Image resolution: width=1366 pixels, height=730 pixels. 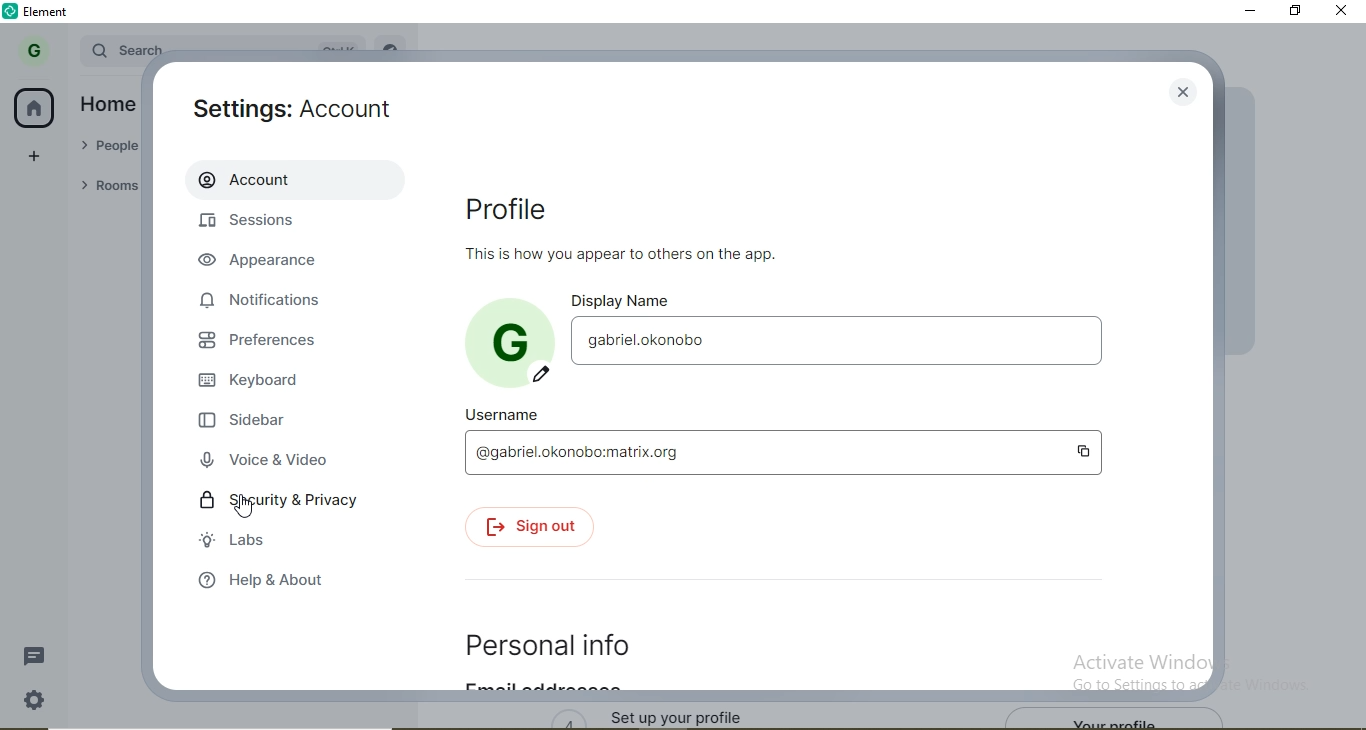 What do you see at coordinates (127, 49) in the screenshot?
I see `search bar` at bounding box center [127, 49].